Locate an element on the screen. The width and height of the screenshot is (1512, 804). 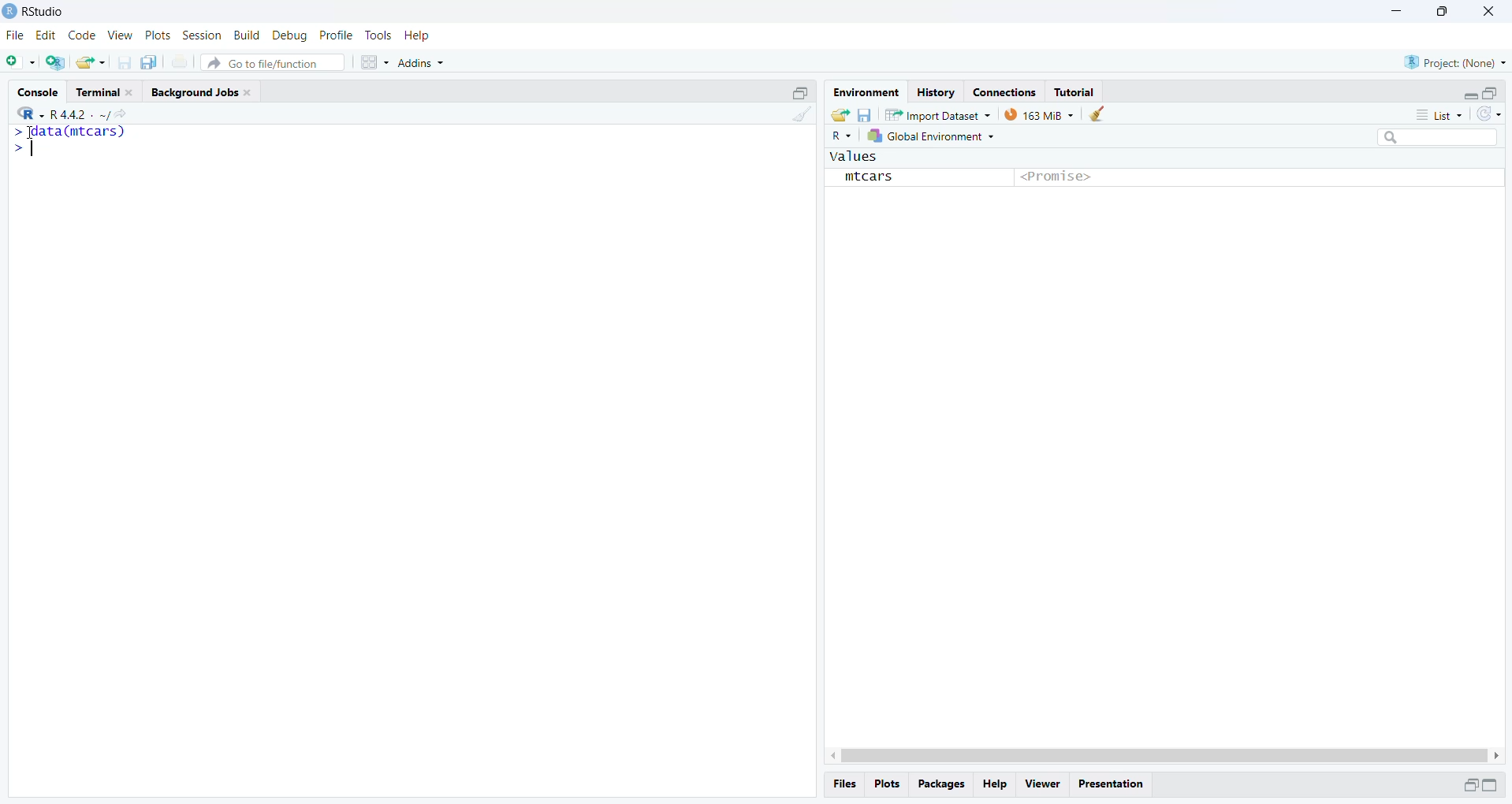
add file is located at coordinates (55, 62).